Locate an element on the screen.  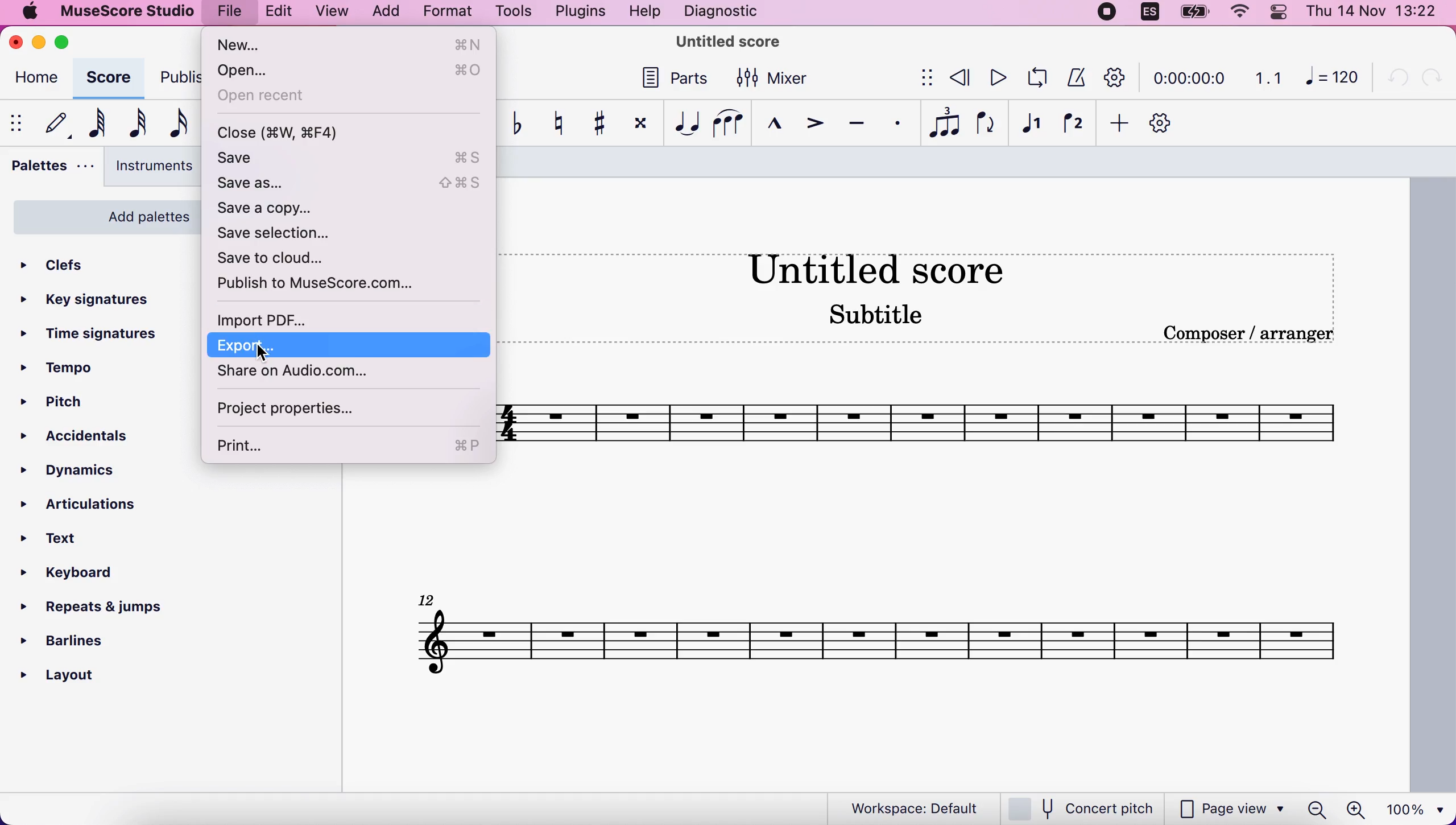
toggle double sharp is located at coordinates (638, 124).